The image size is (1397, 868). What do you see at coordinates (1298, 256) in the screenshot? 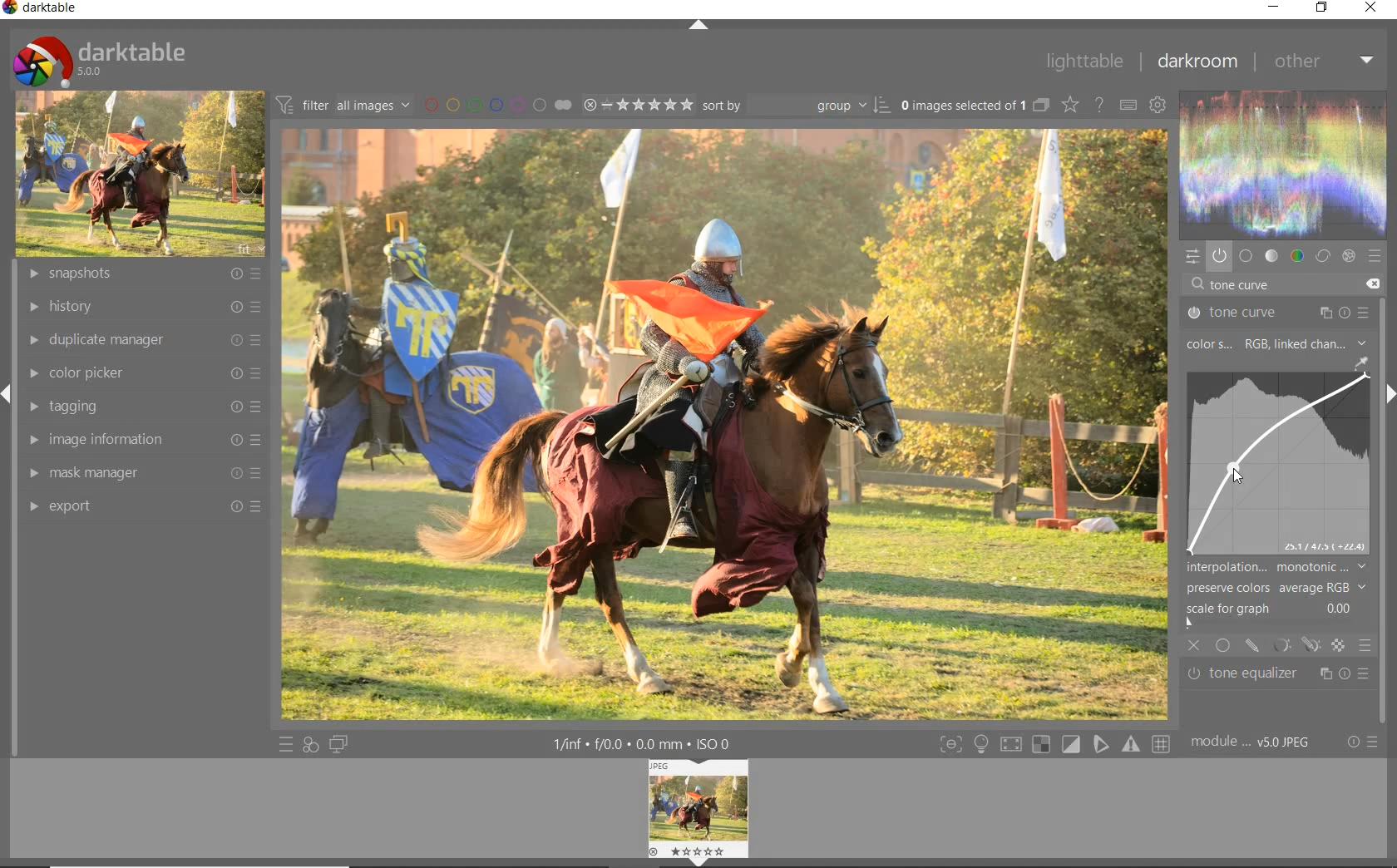
I see `color` at bounding box center [1298, 256].